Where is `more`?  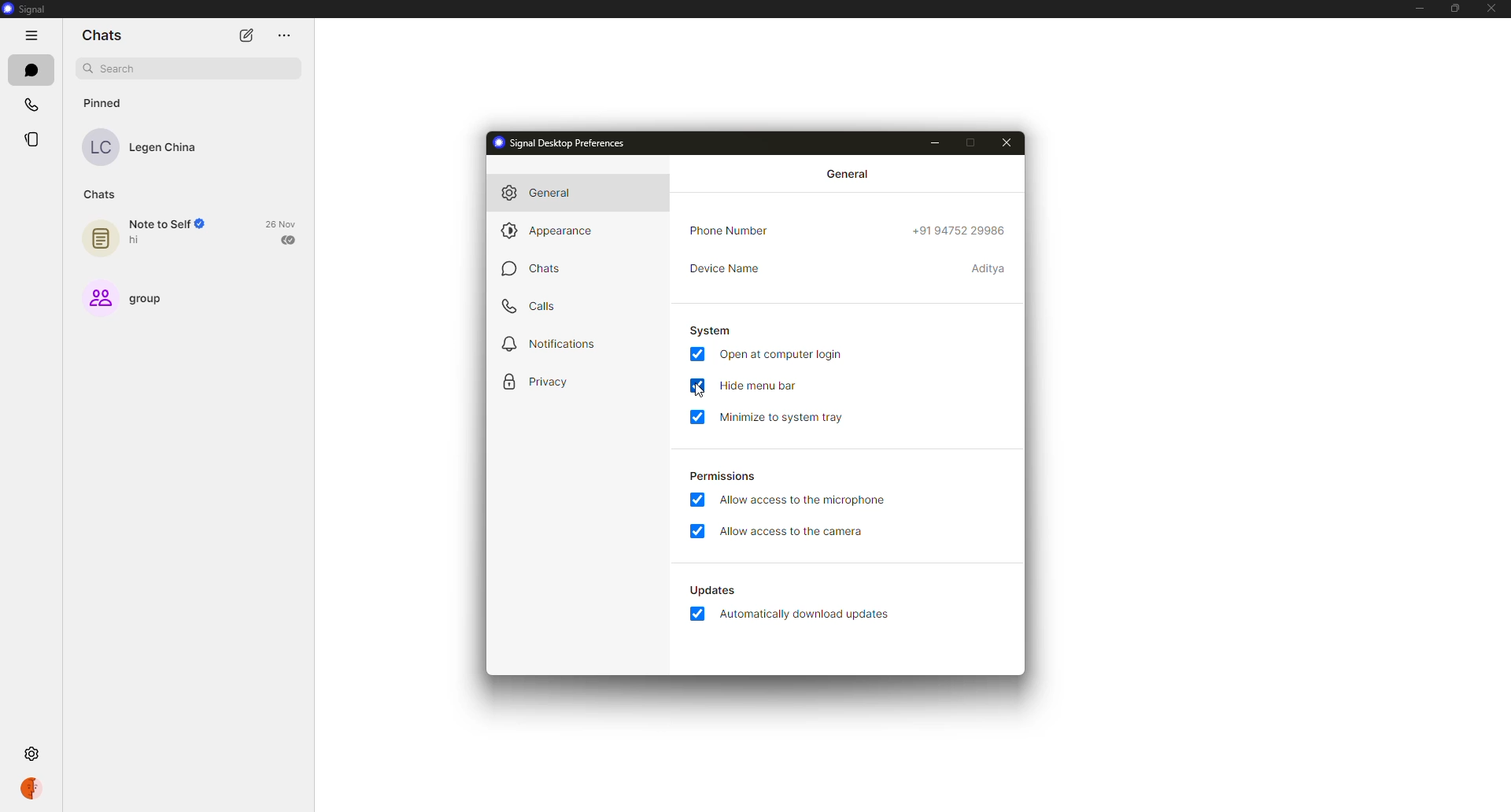 more is located at coordinates (282, 35).